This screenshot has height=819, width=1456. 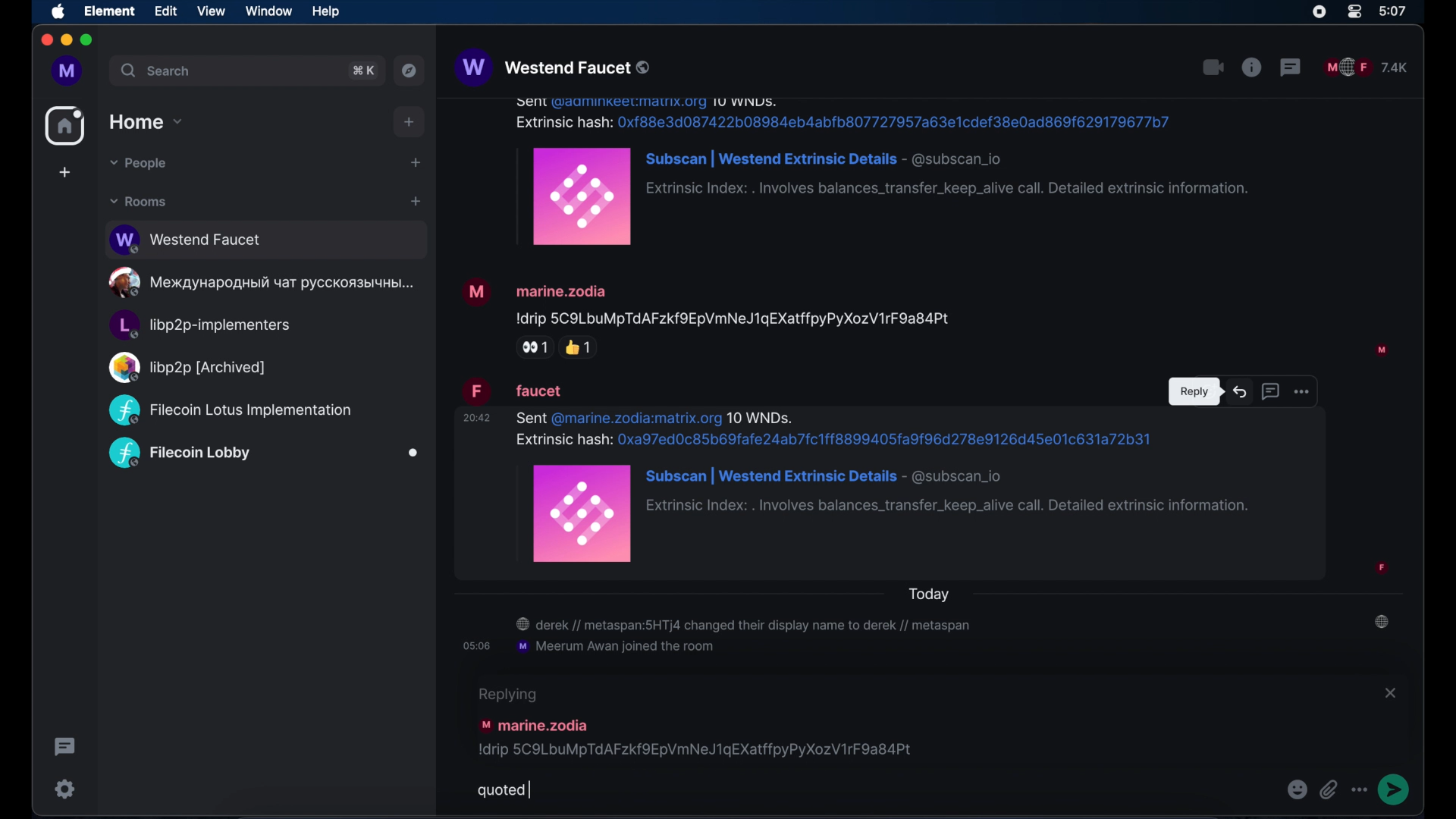 I want to click on westend faucet public room name, so click(x=553, y=69).